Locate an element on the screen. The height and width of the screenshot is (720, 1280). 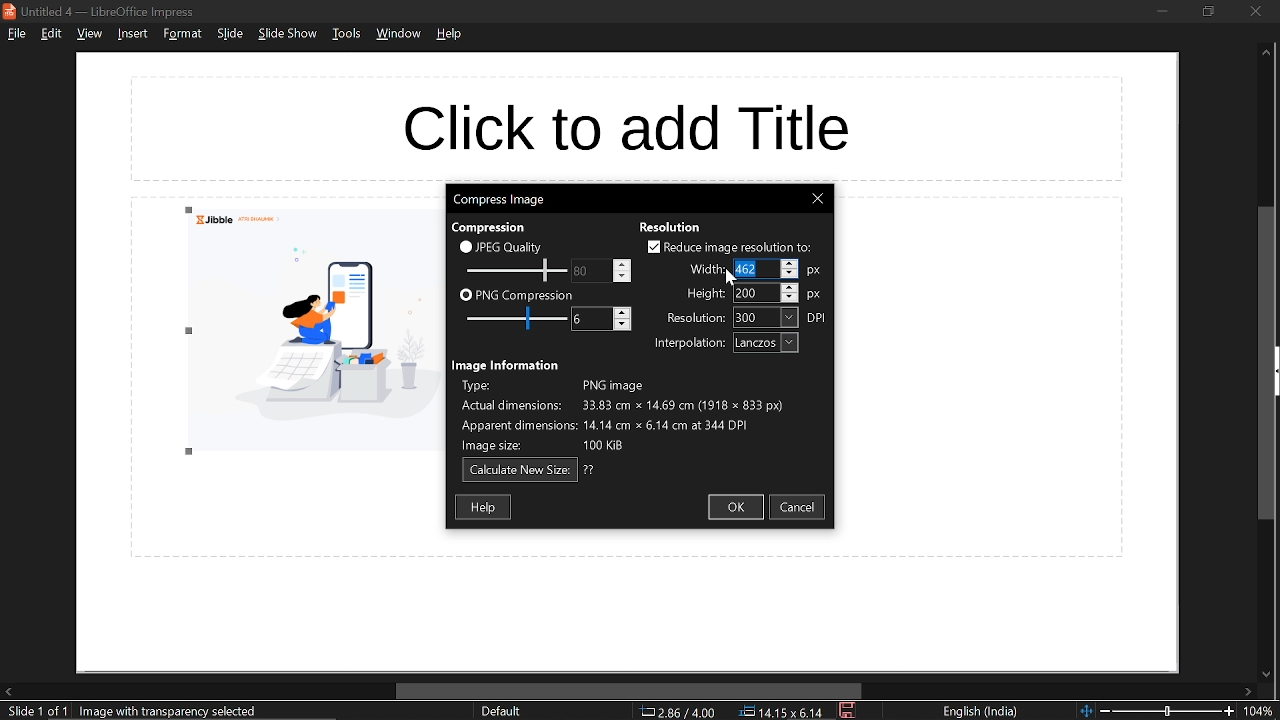
view is located at coordinates (89, 35).